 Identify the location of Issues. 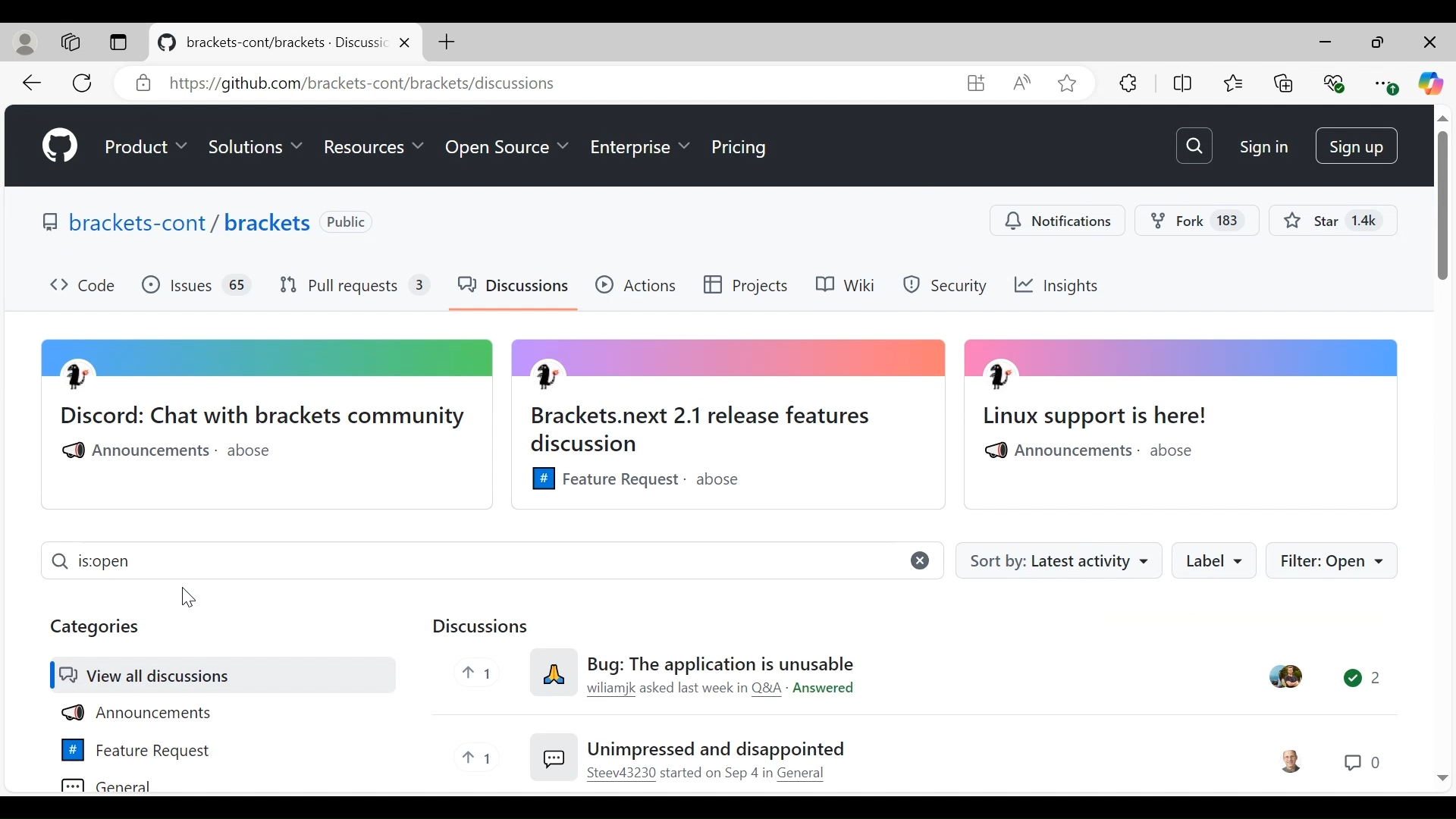
(197, 287).